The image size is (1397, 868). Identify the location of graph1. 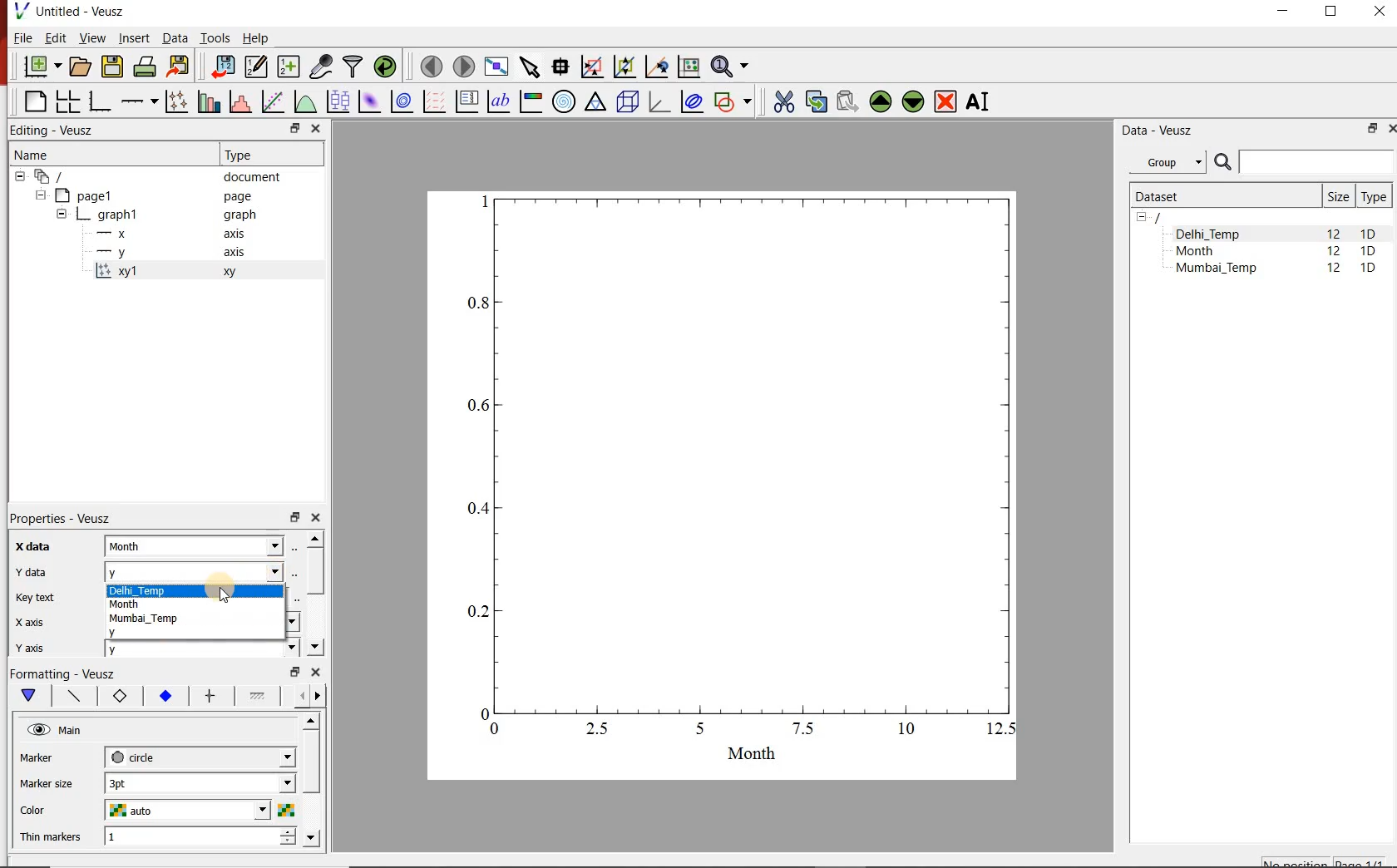
(158, 215).